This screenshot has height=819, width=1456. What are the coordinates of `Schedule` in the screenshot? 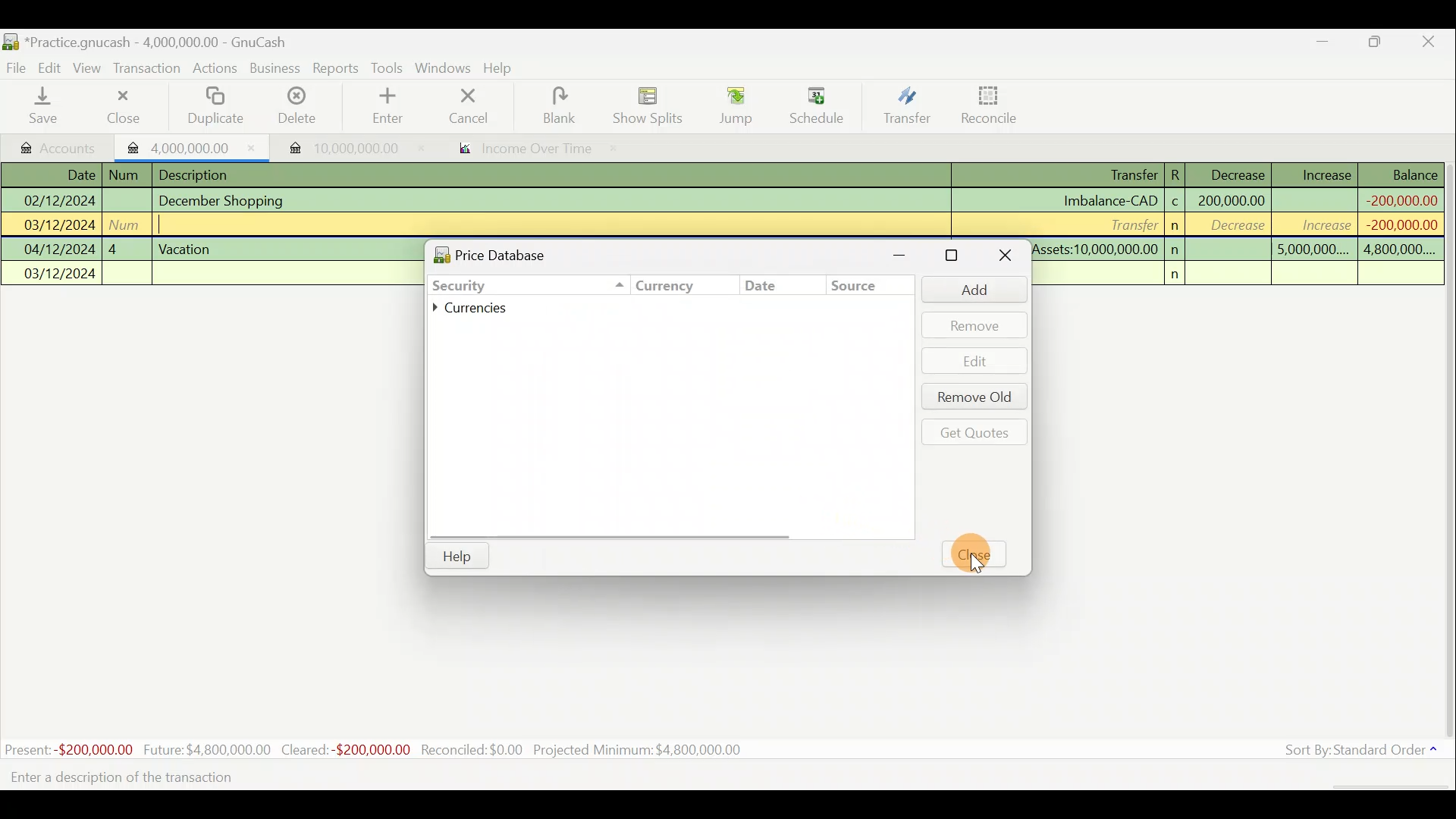 It's located at (817, 105).